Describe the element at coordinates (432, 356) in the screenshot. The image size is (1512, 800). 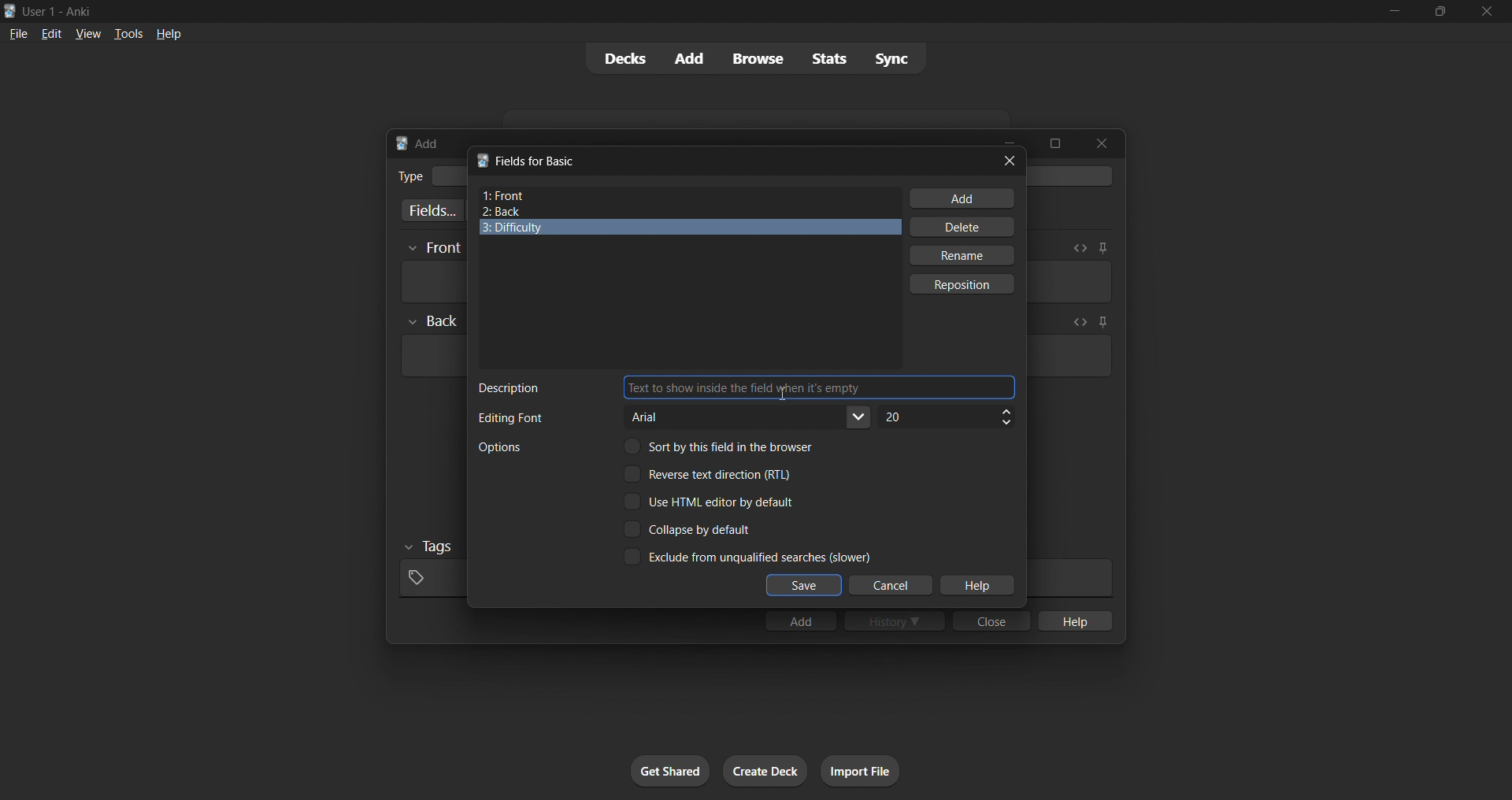
I see `card back input` at that location.